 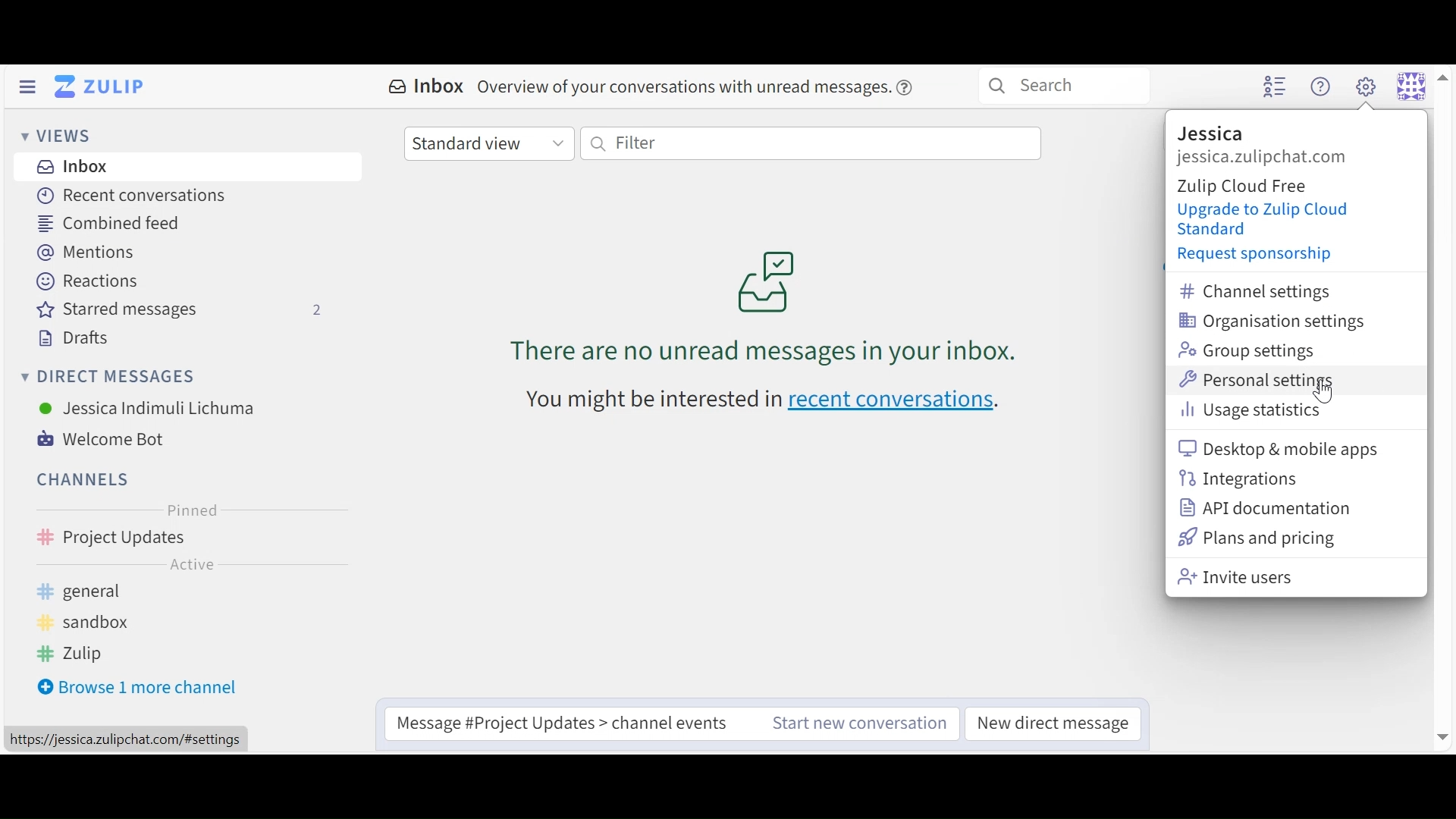 I want to click on Organization url, so click(x=1261, y=160).